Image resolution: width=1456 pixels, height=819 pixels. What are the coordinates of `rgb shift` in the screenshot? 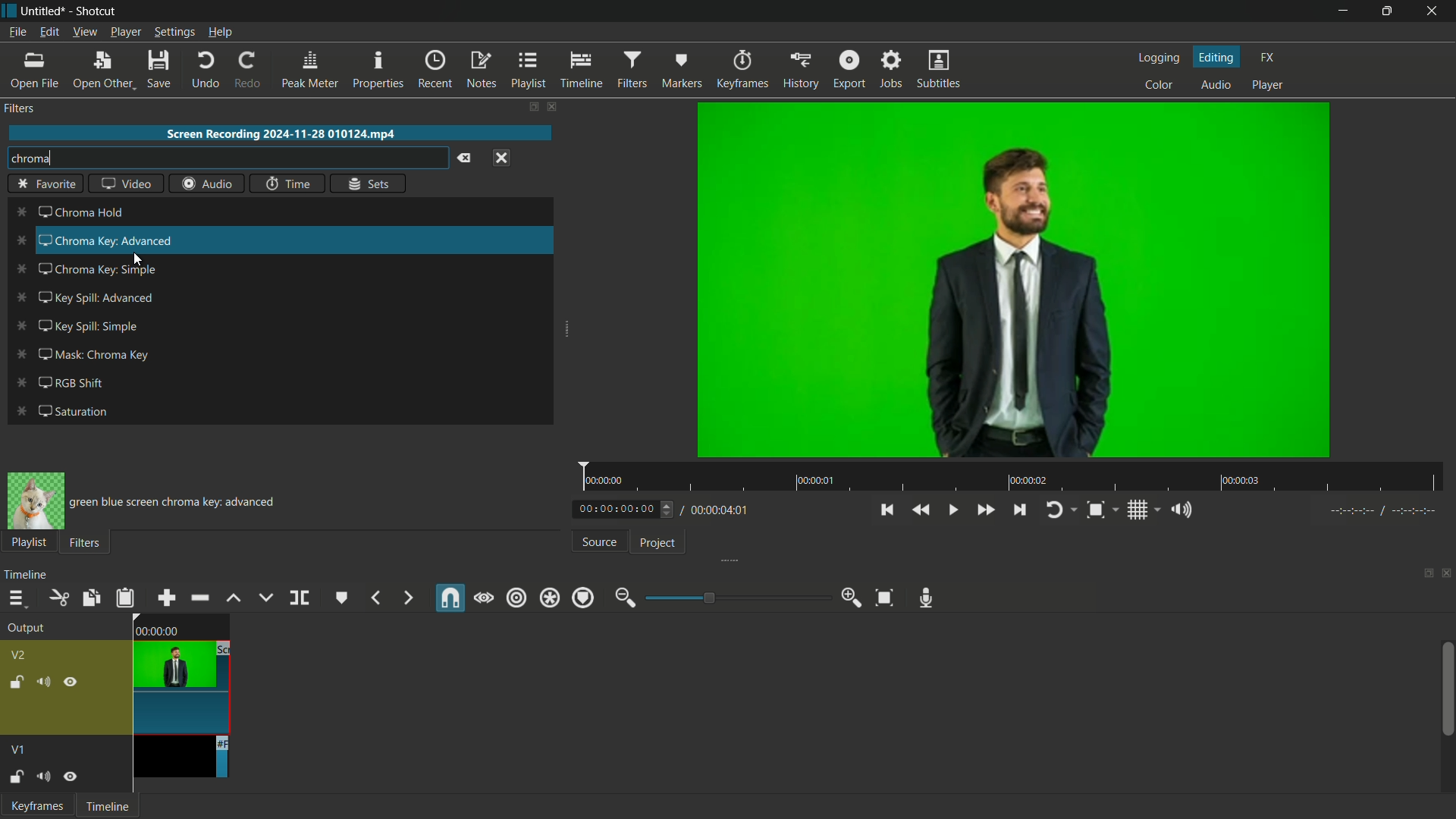 It's located at (74, 383).